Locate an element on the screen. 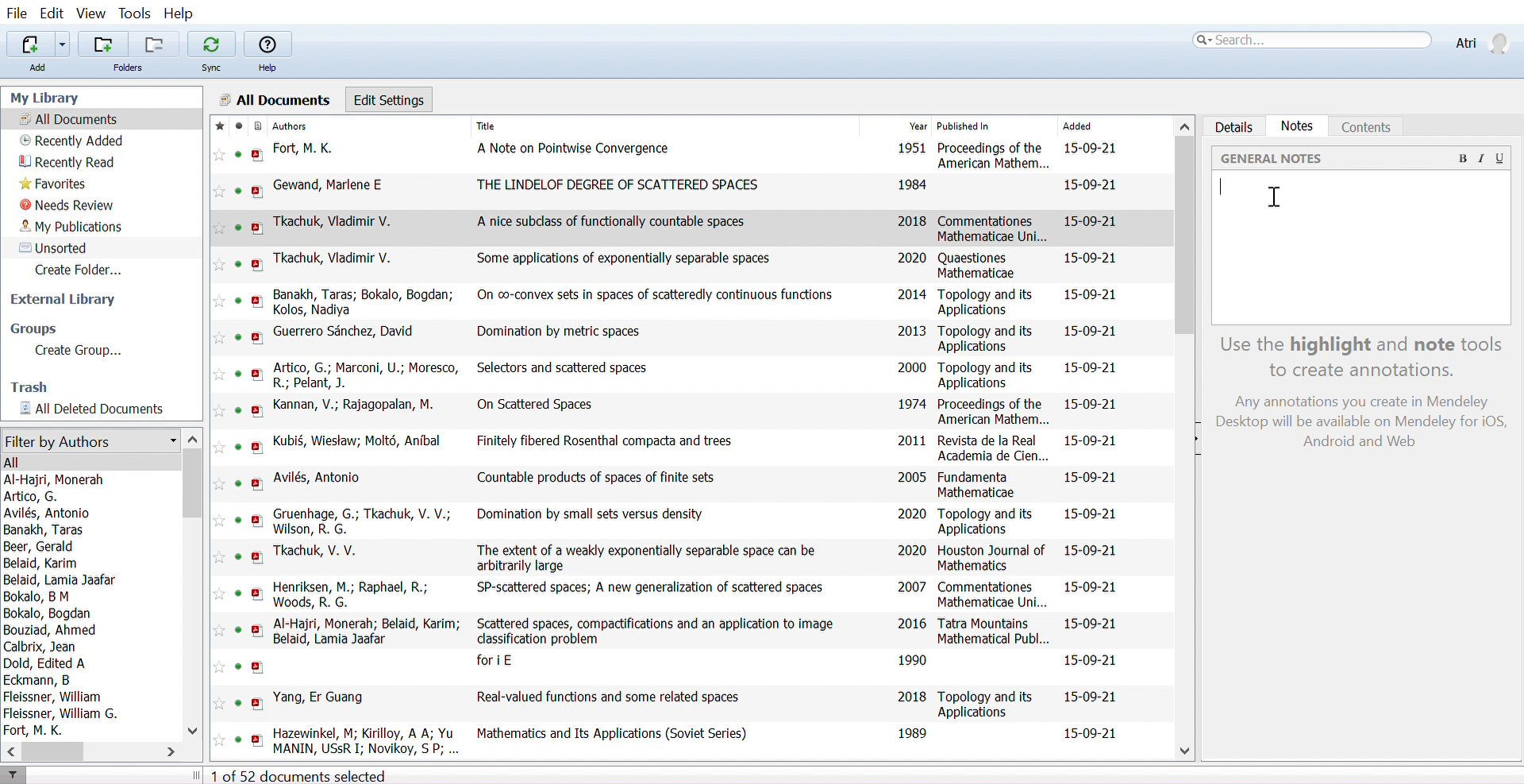 The width and height of the screenshot is (1524, 784). open PDF is located at coordinates (257, 375).